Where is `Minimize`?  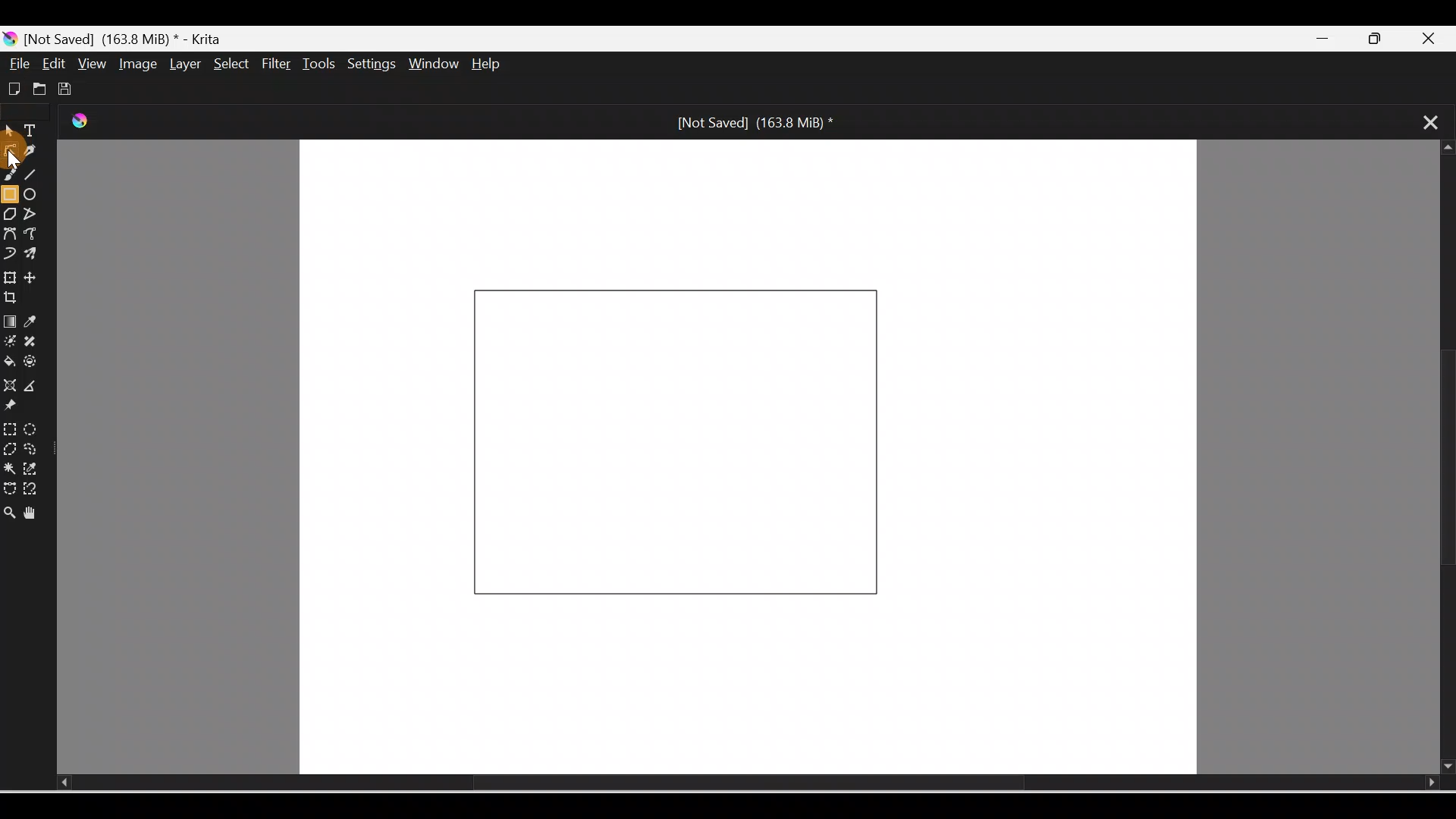 Minimize is located at coordinates (1326, 39).